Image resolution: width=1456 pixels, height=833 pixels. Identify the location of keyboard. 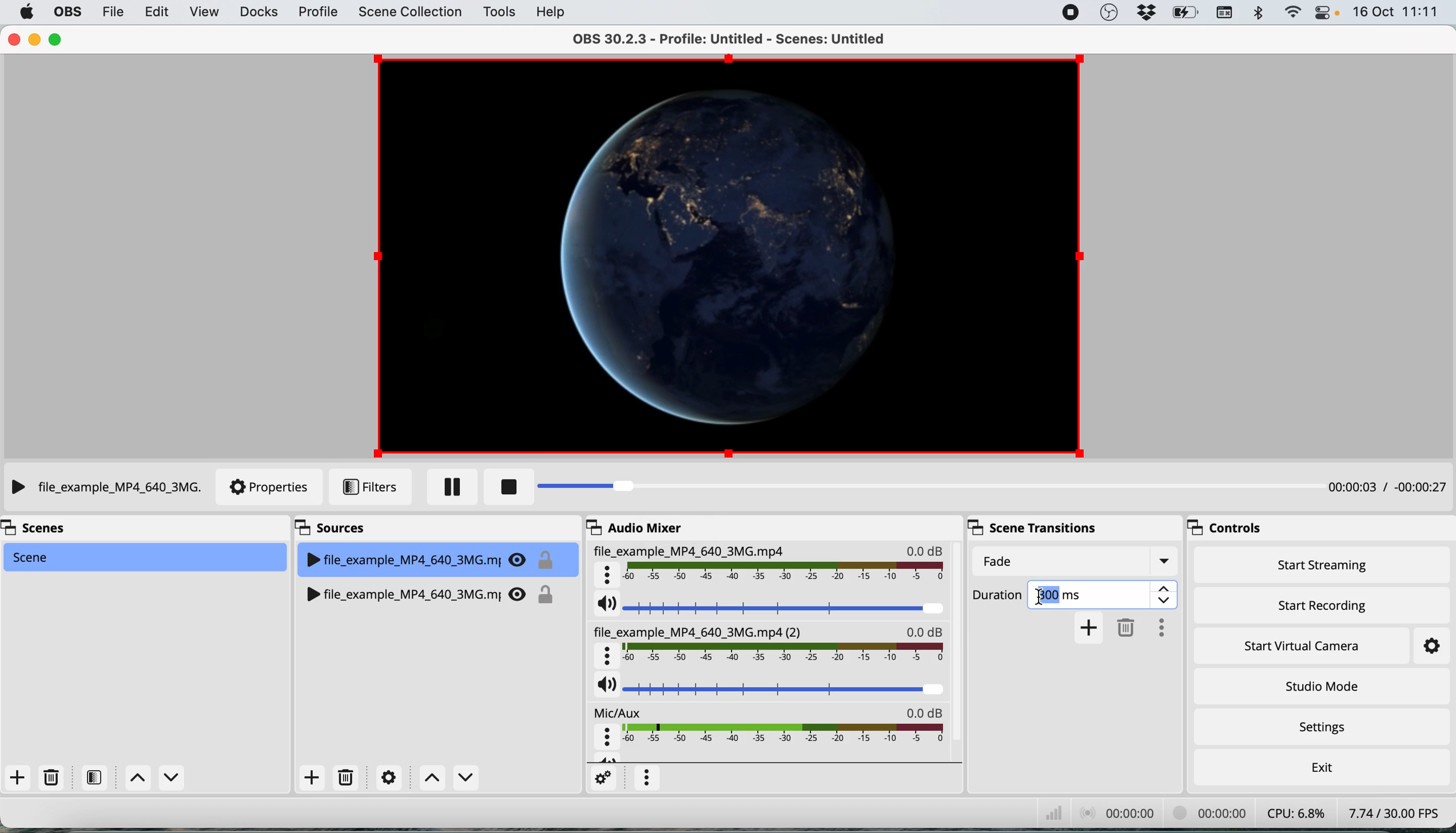
(1228, 14).